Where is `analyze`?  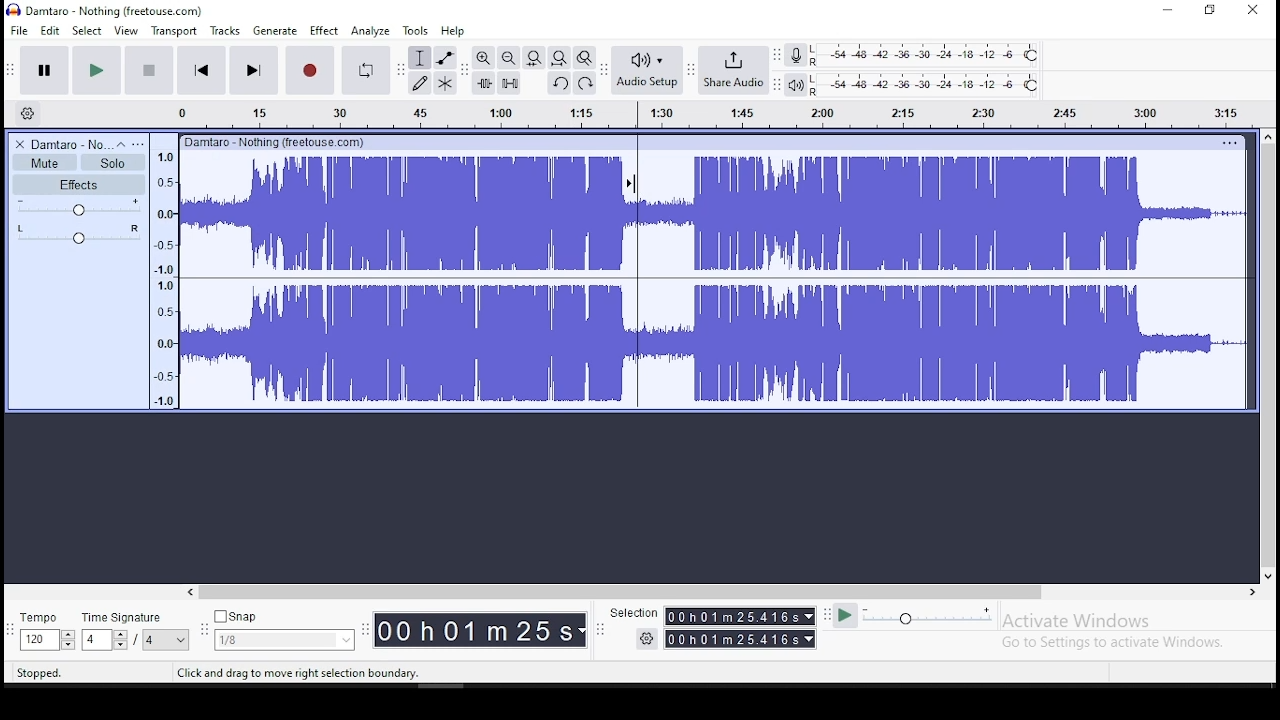
analyze is located at coordinates (372, 32).